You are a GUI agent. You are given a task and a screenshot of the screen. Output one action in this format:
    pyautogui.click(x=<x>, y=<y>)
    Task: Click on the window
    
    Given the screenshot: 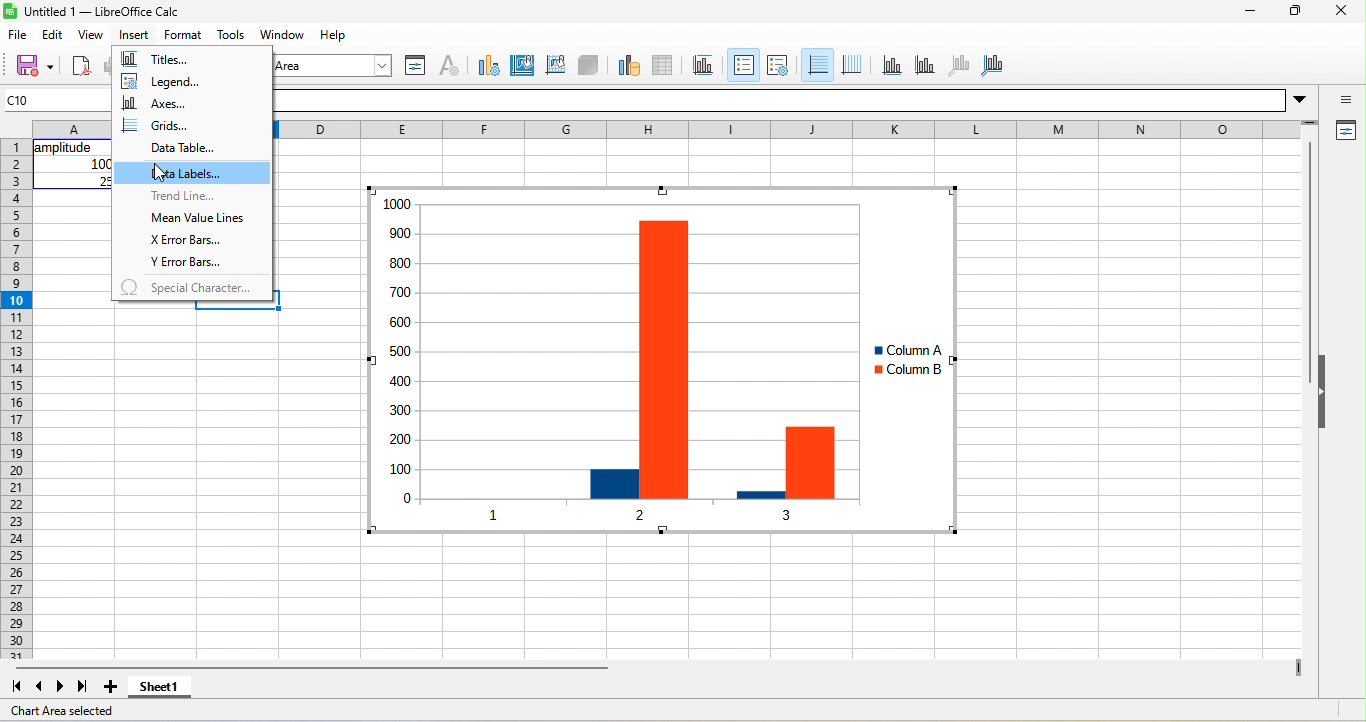 What is the action you would take?
    pyautogui.click(x=286, y=36)
    